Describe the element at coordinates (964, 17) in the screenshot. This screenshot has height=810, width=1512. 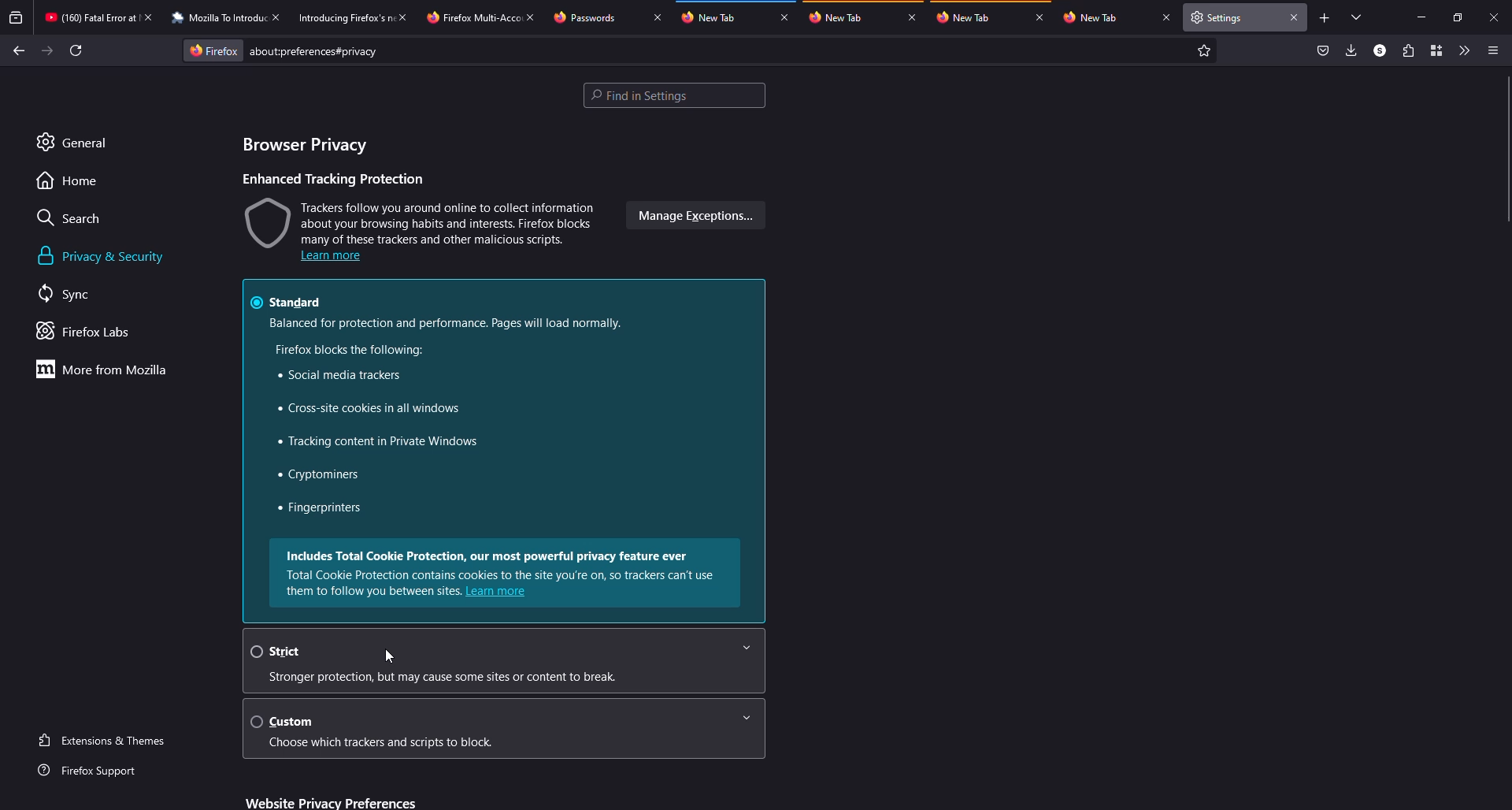
I see `tab` at that location.